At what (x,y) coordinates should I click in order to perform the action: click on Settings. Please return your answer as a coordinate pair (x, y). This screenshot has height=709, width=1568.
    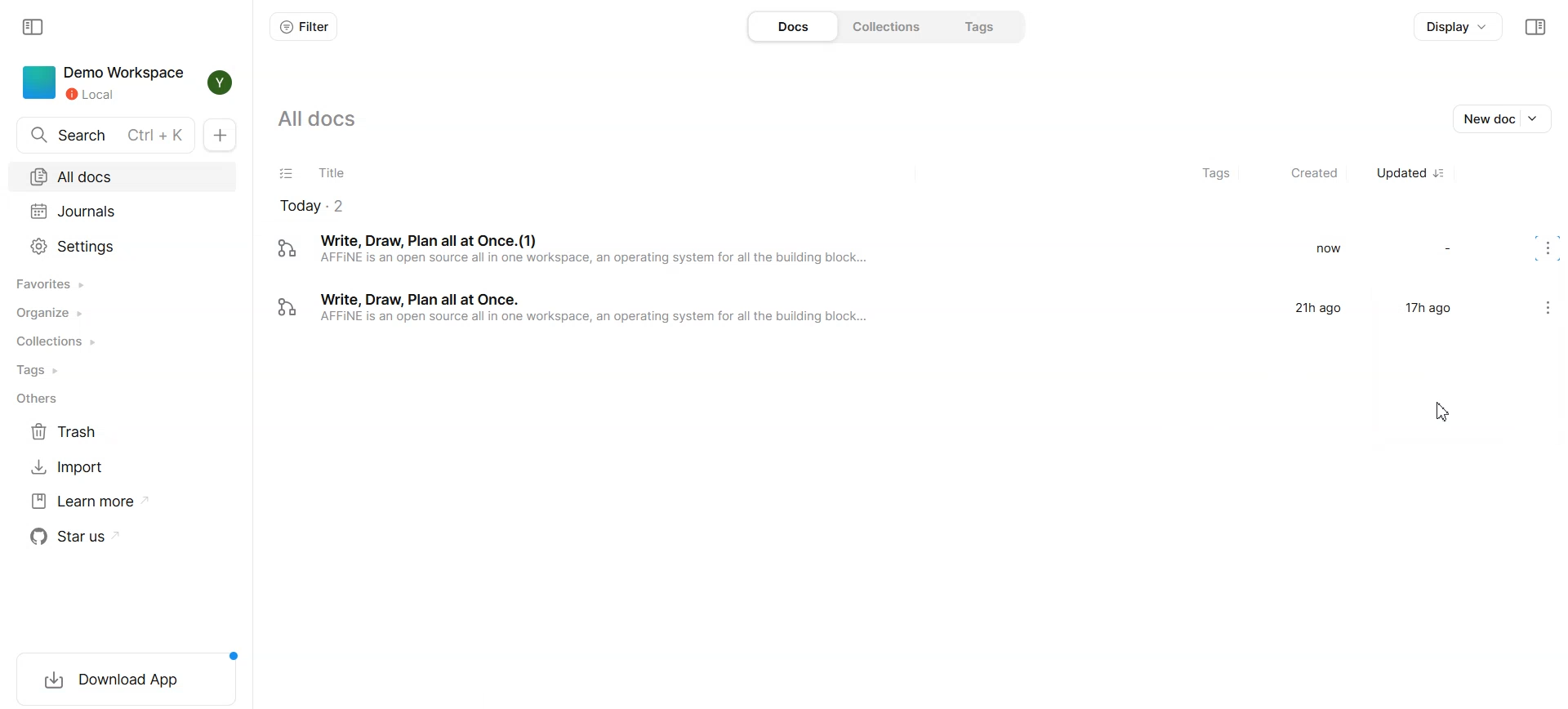
    Looking at the image, I should click on (122, 244).